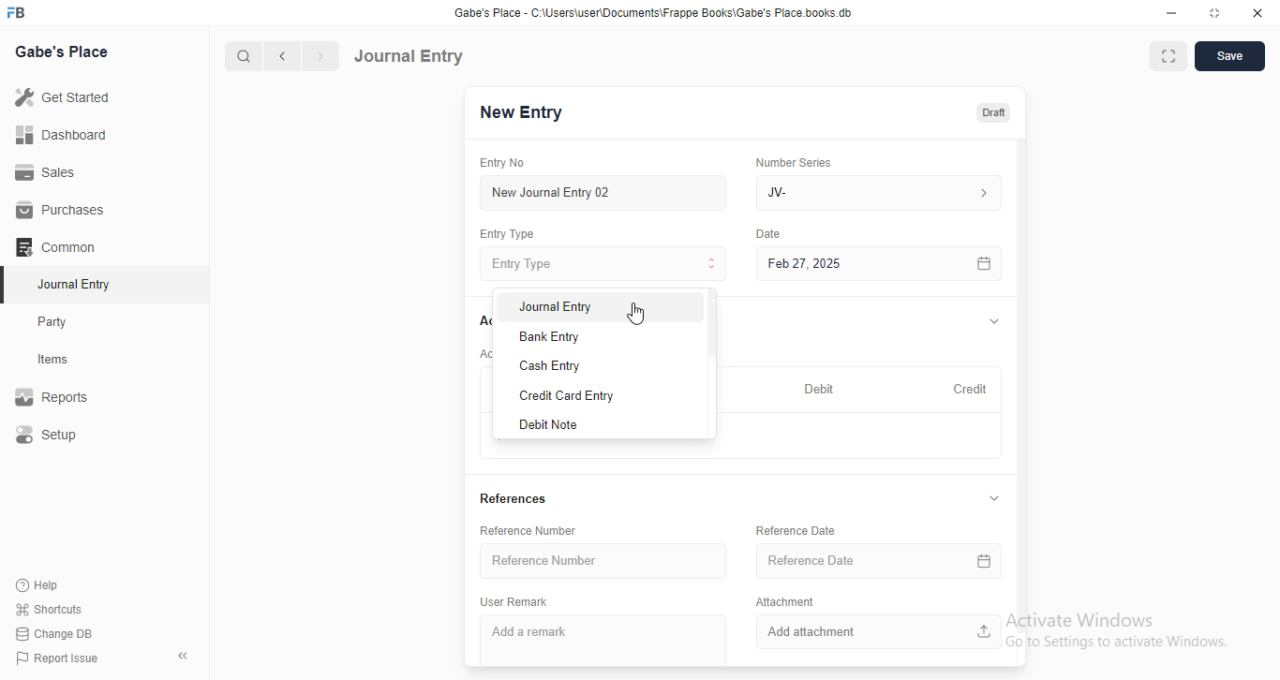 The height and width of the screenshot is (680, 1280). I want to click on Account entries, so click(482, 354).